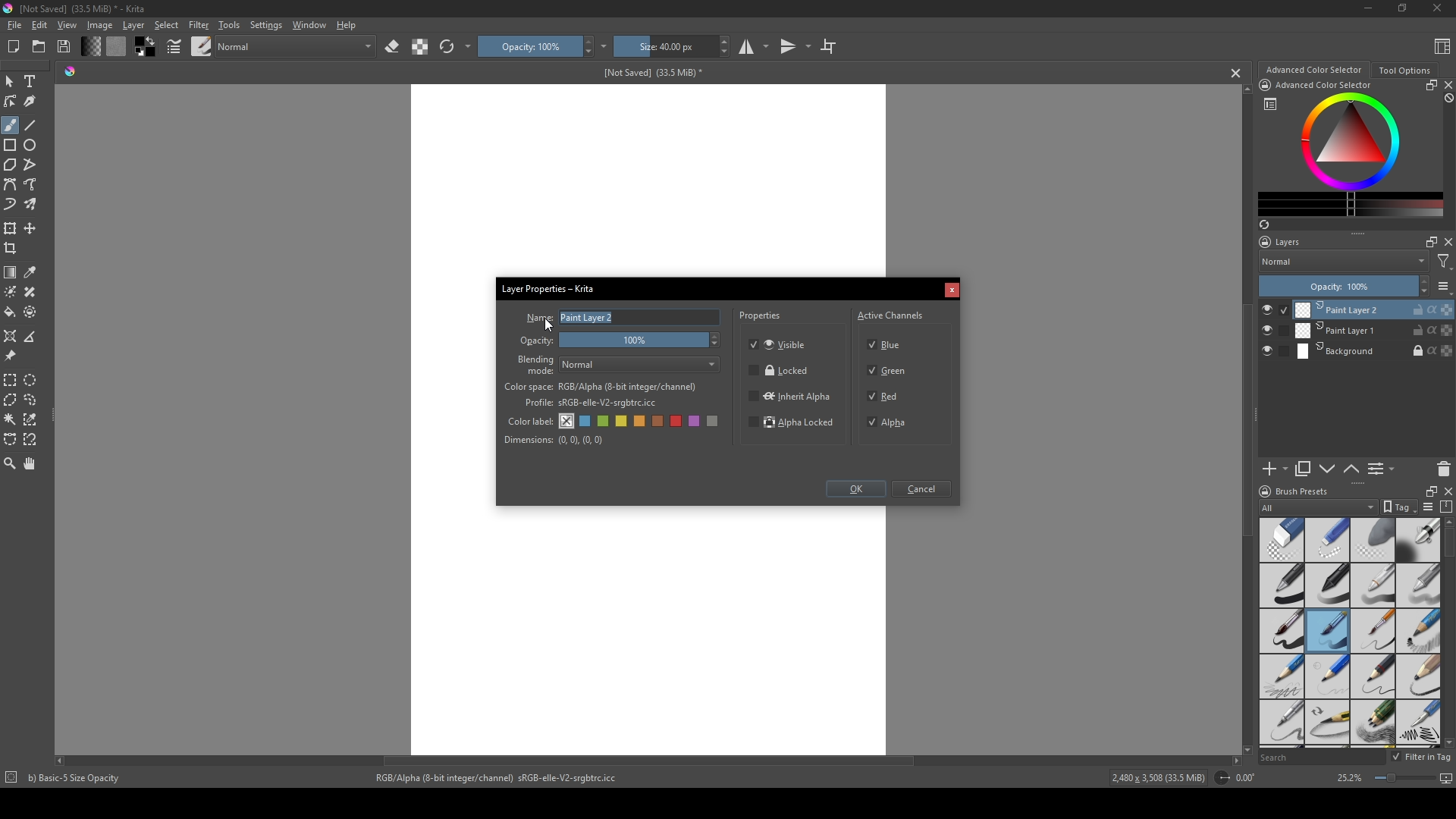 This screenshot has height=819, width=1456. Describe the element at coordinates (601, 387) in the screenshot. I see `Color space: RGB/Alpha (8-bit integer/ channel):` at that location.